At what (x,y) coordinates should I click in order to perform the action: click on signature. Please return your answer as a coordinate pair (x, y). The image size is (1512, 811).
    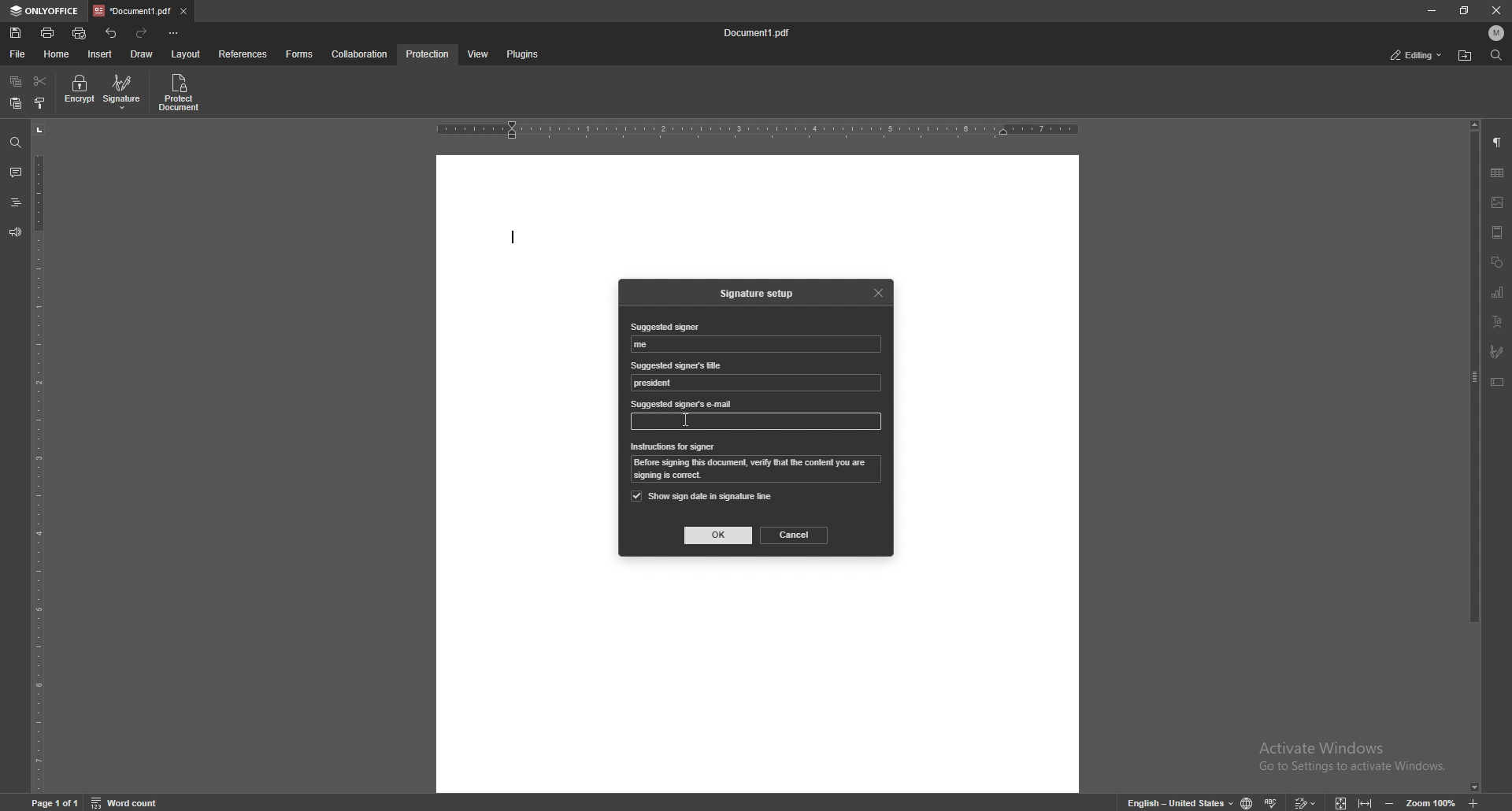
    Looking at the image, I should click on (124, 91).